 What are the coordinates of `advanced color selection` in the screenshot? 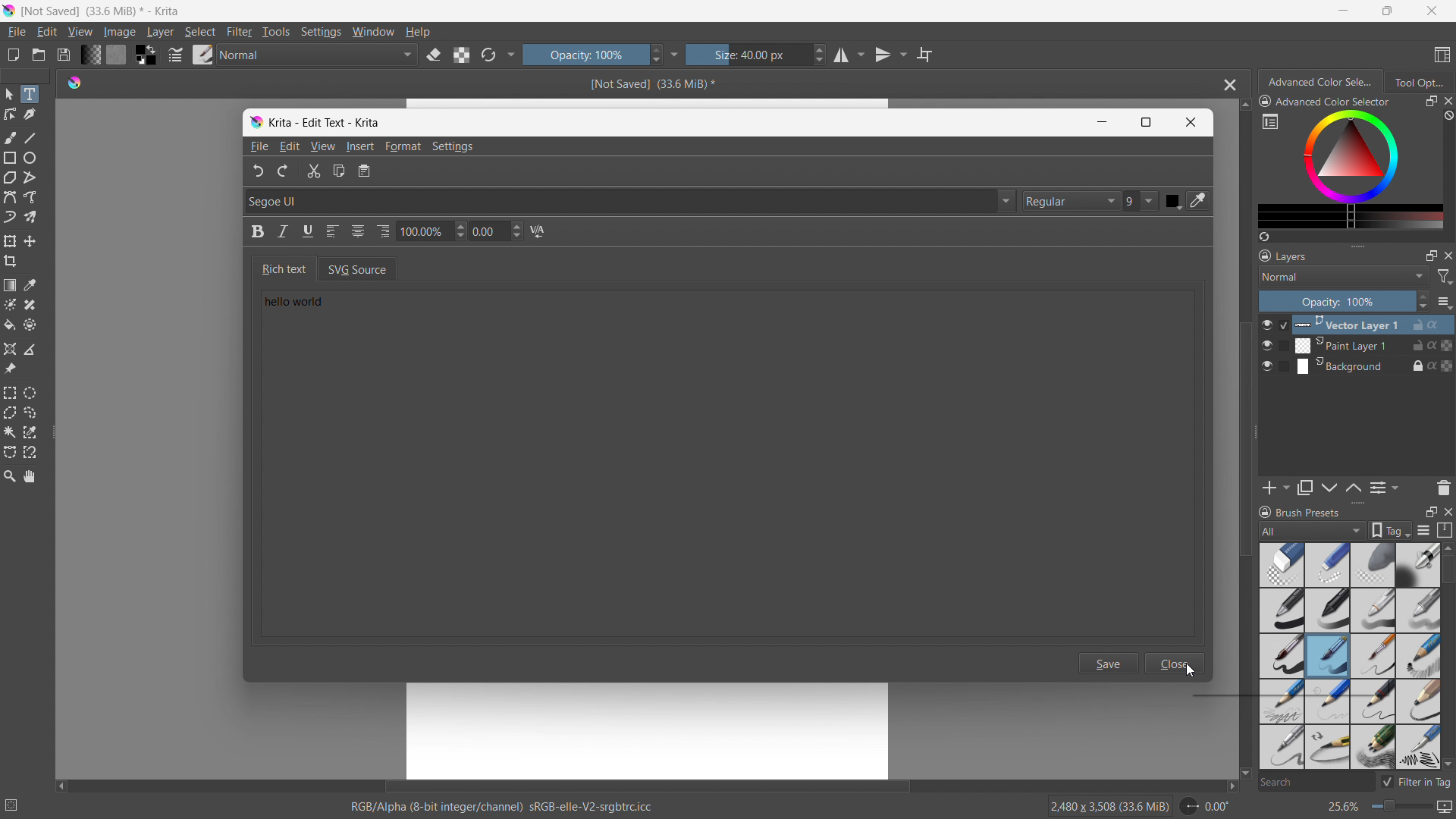 It's located at (1322, 82).